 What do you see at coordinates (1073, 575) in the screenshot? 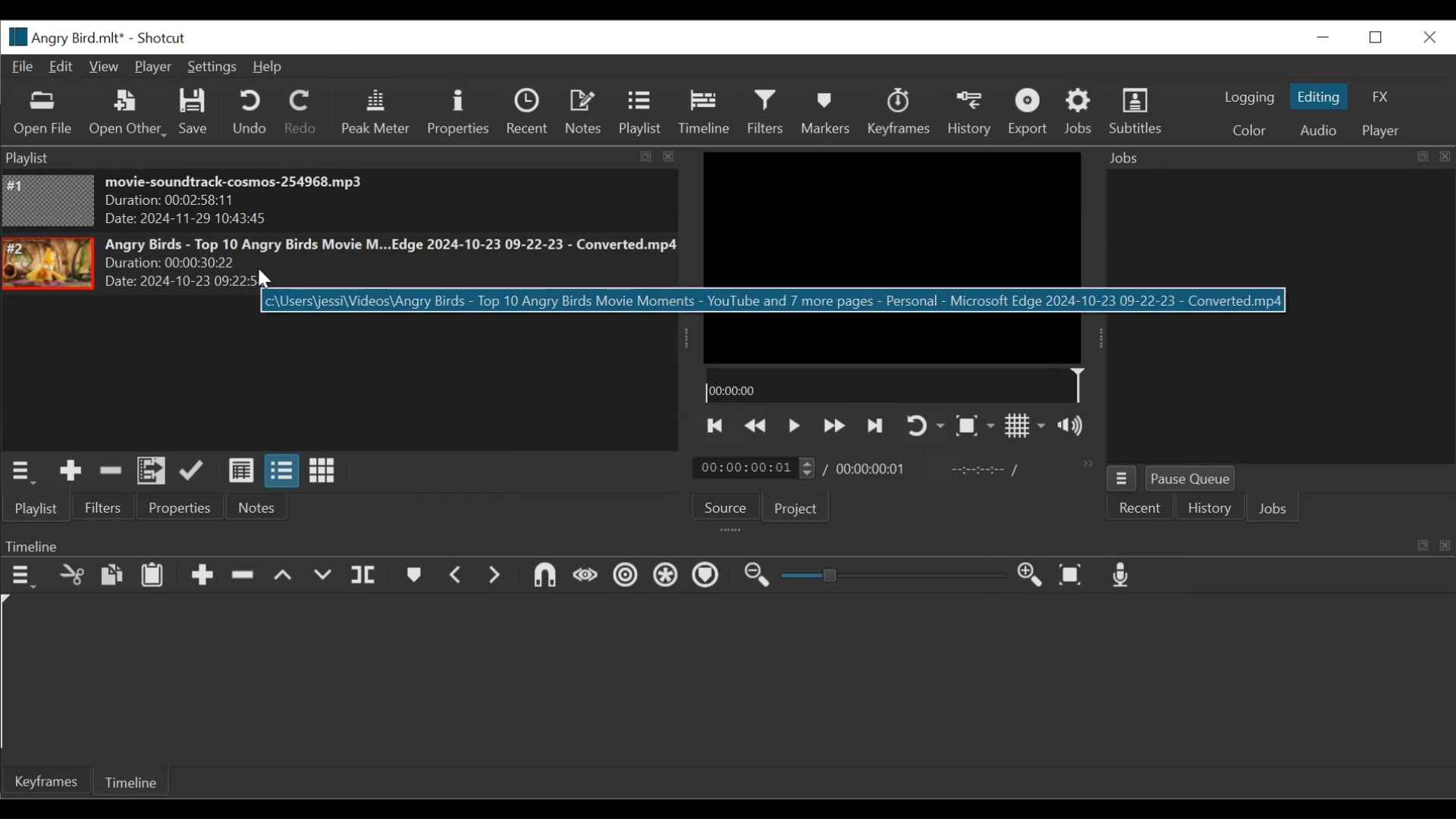
I see `Zoom timeline to fit` at bounding box center [1073, 575].